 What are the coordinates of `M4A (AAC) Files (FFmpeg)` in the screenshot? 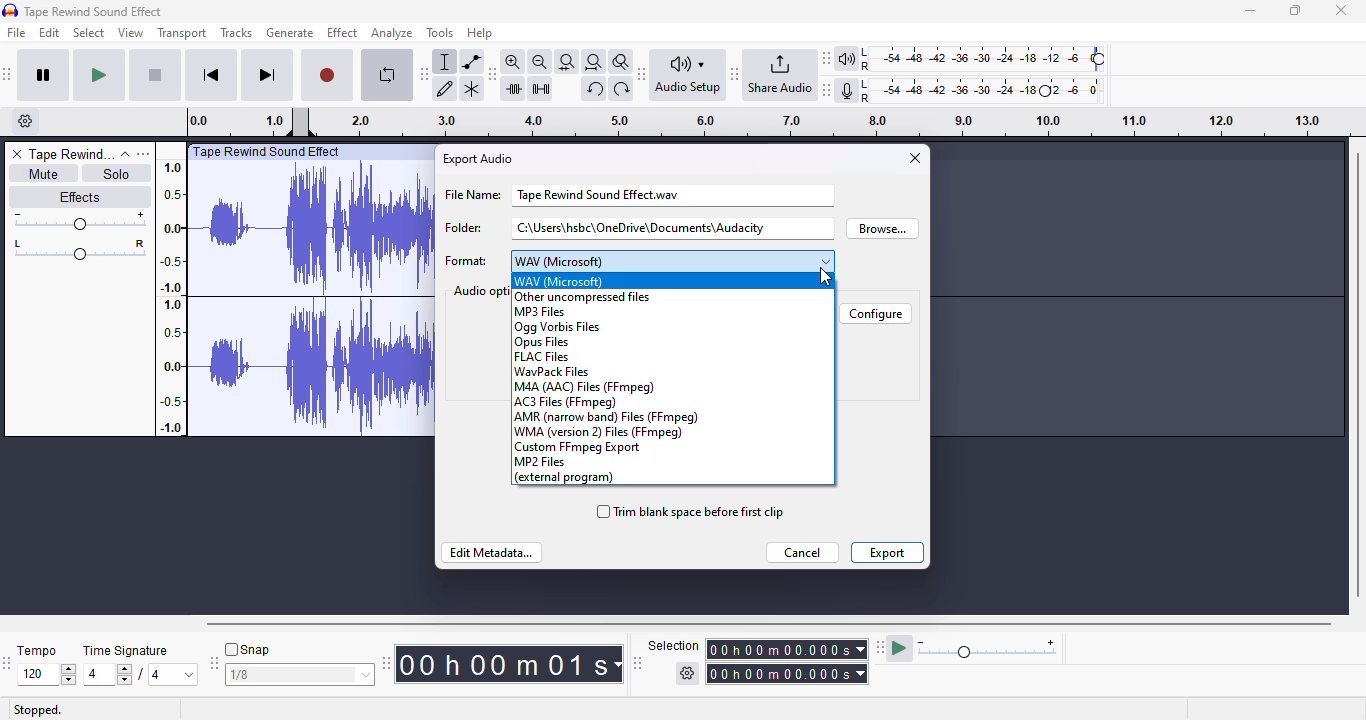 It's located at (585, 387).